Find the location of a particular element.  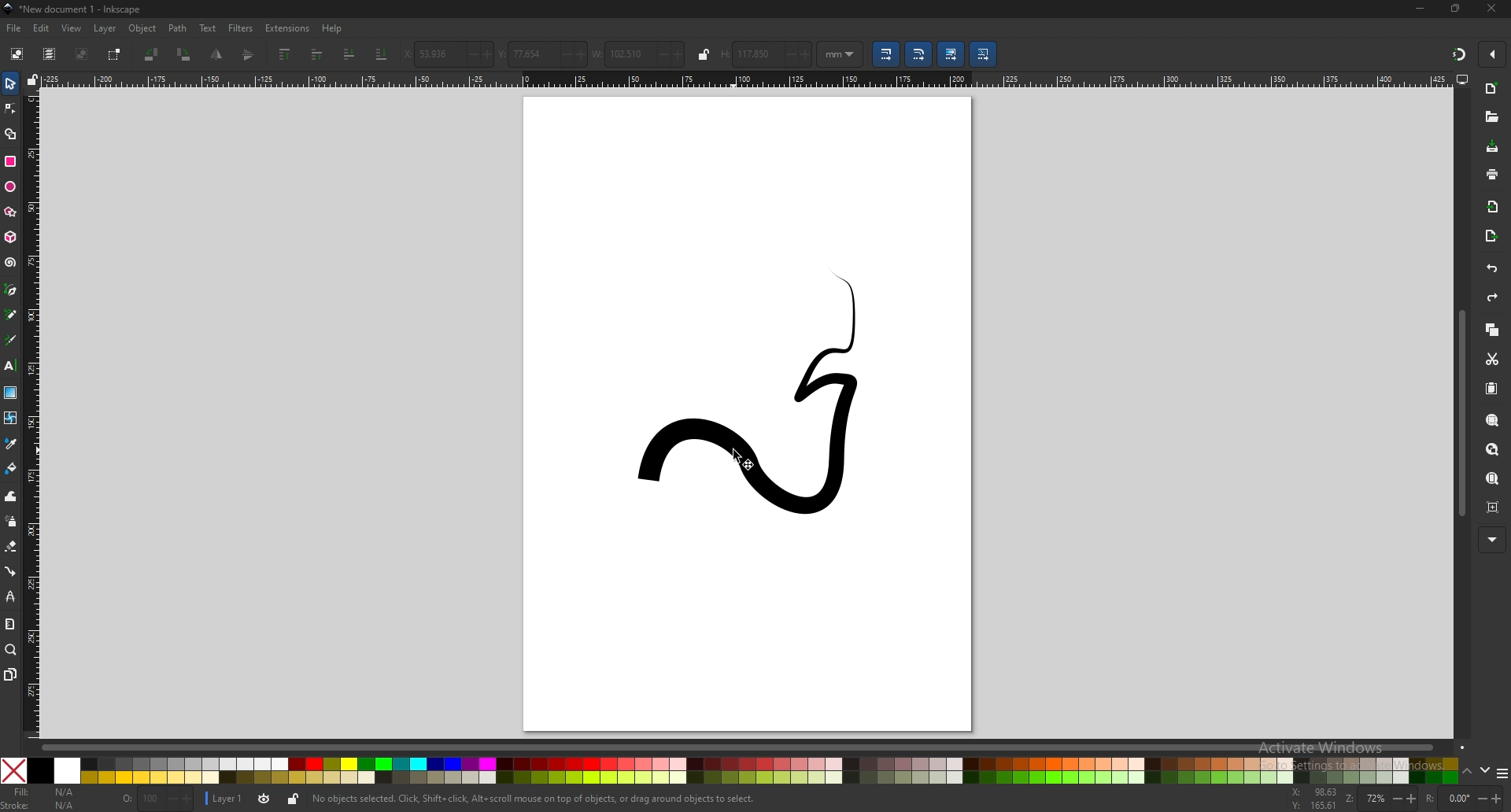

zoom page is located at coordinates (1492, 479).